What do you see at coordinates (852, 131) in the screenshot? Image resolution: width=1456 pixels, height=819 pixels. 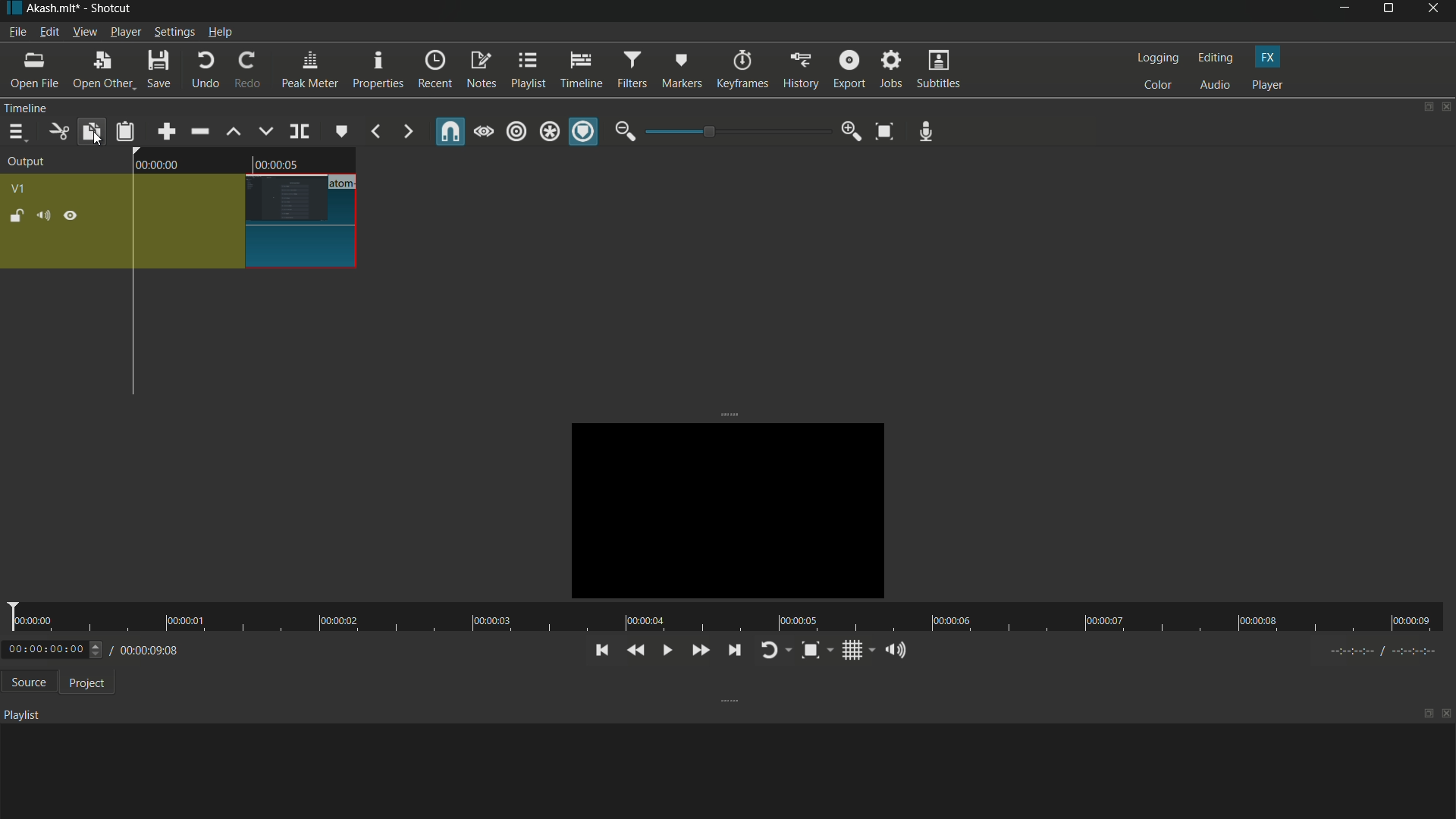 I see `zoom in` at bounding box center [852, 131].